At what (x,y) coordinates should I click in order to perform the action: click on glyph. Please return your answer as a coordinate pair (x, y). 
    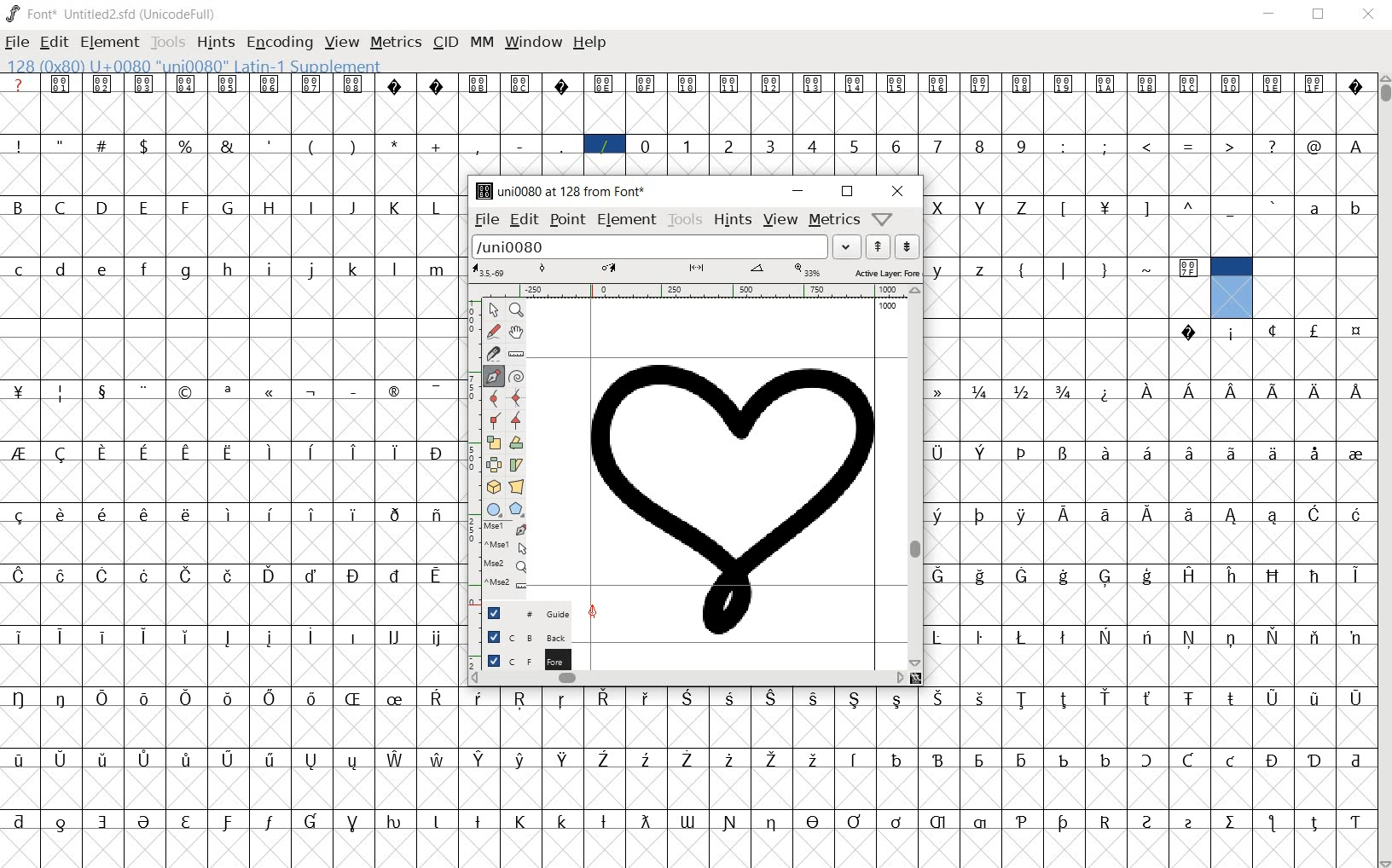
    Looking at the image, I should click on (143, 514).